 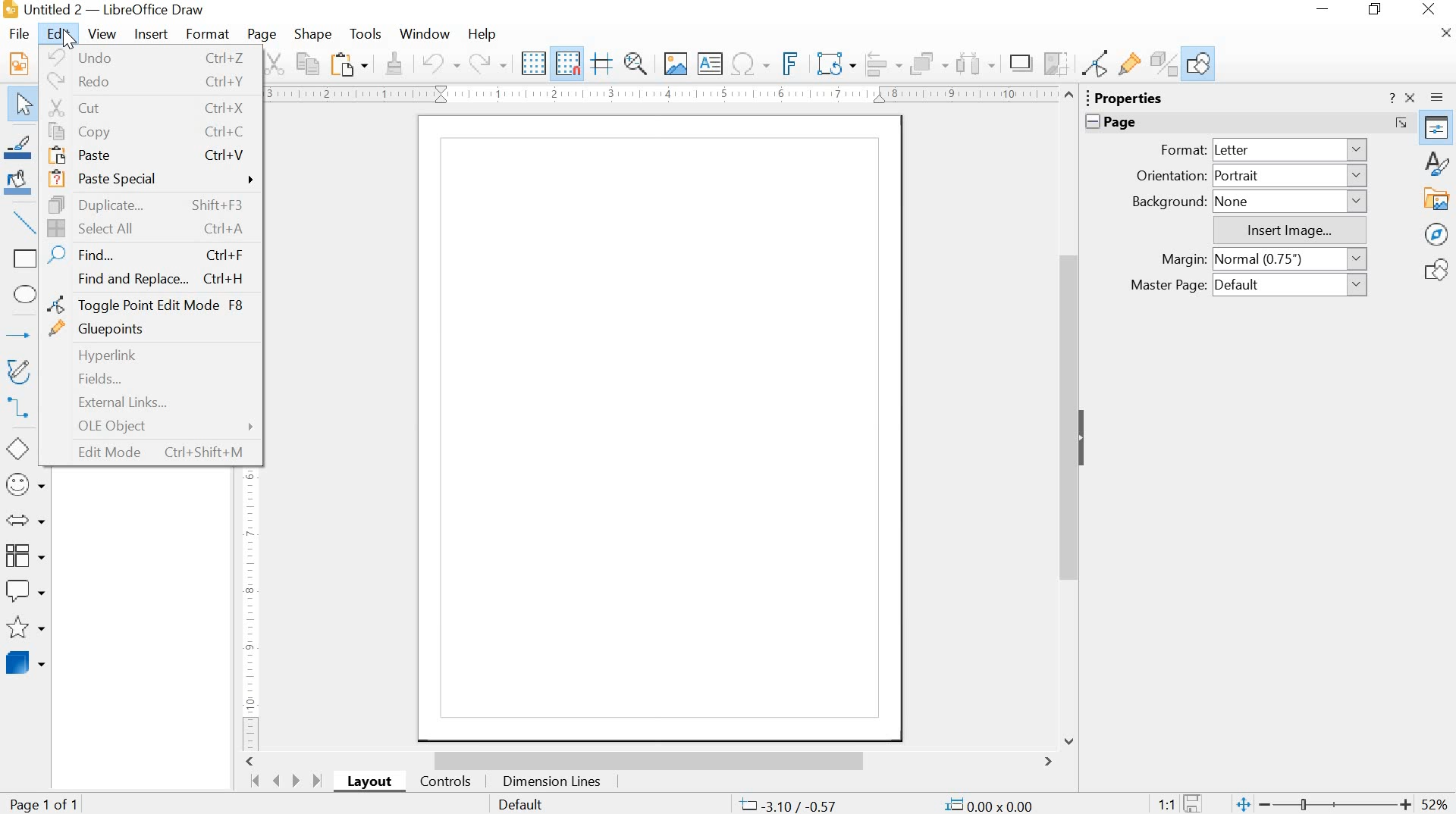 I want to click on Hide, so click(x=1081, y=436).